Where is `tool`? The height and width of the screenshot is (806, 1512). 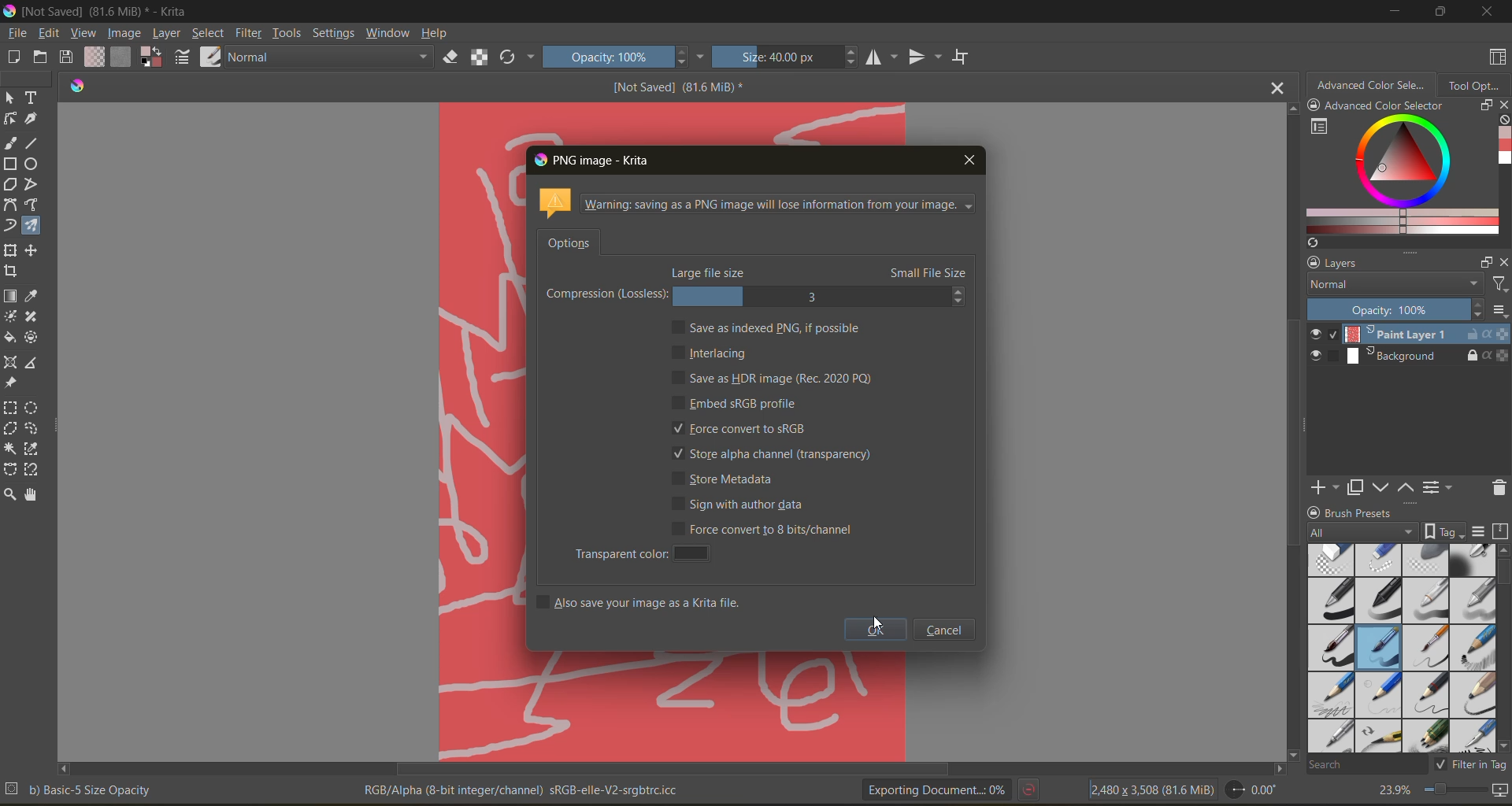 tool is located at coordinates (11, 318).